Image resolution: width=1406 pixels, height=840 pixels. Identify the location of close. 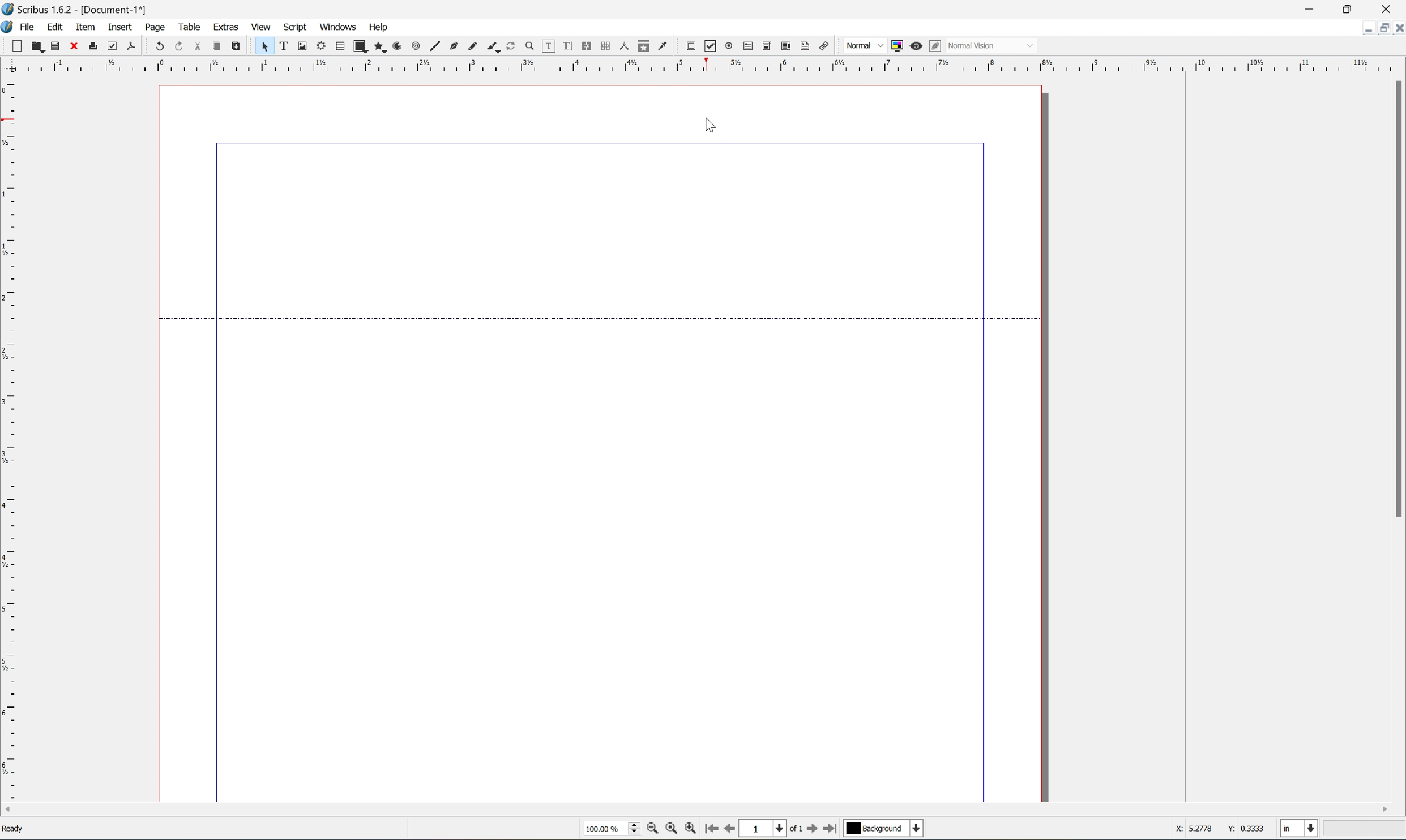
(73, 46).